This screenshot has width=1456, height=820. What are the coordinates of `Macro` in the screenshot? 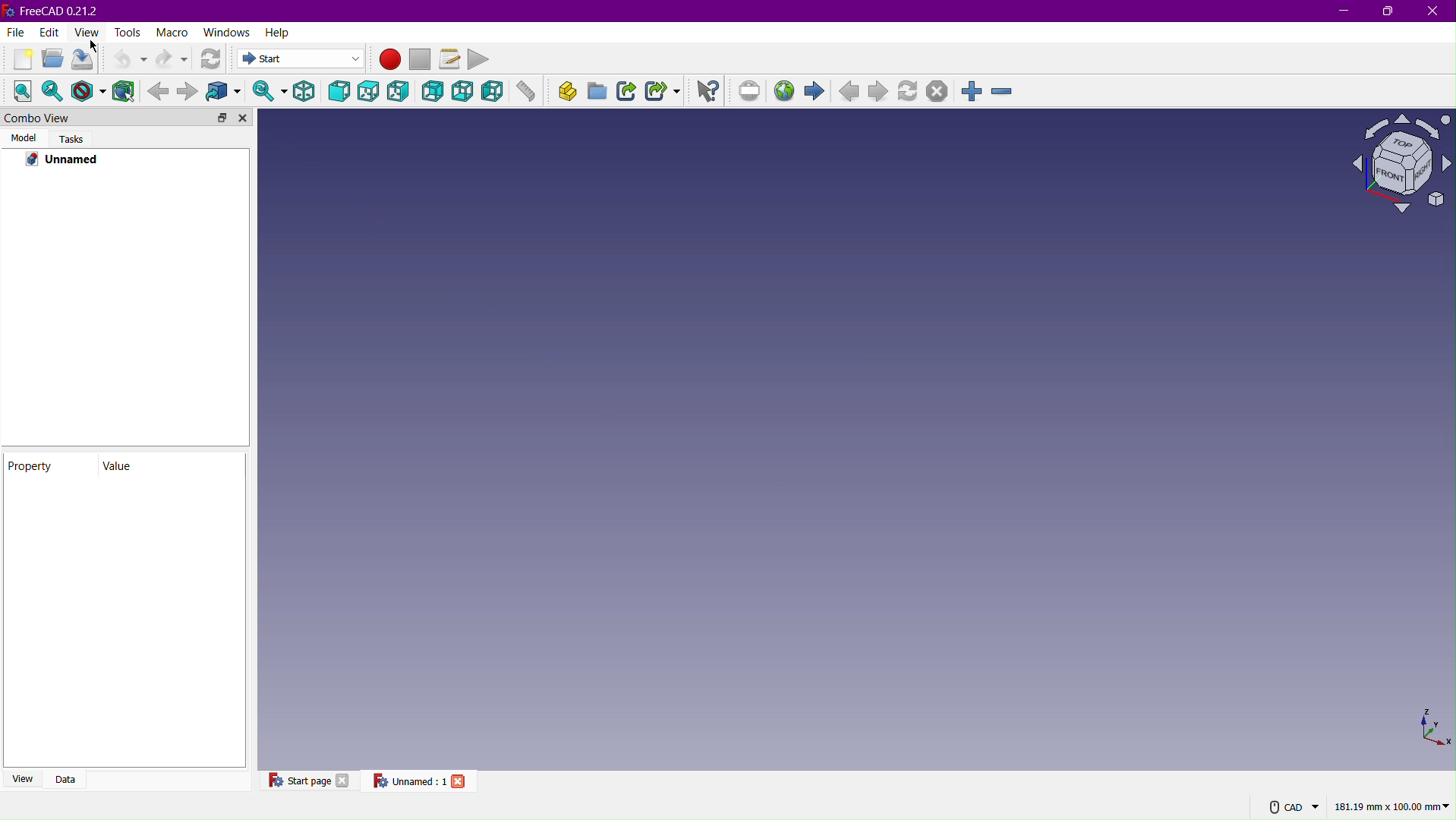 It's located at (178, 33).